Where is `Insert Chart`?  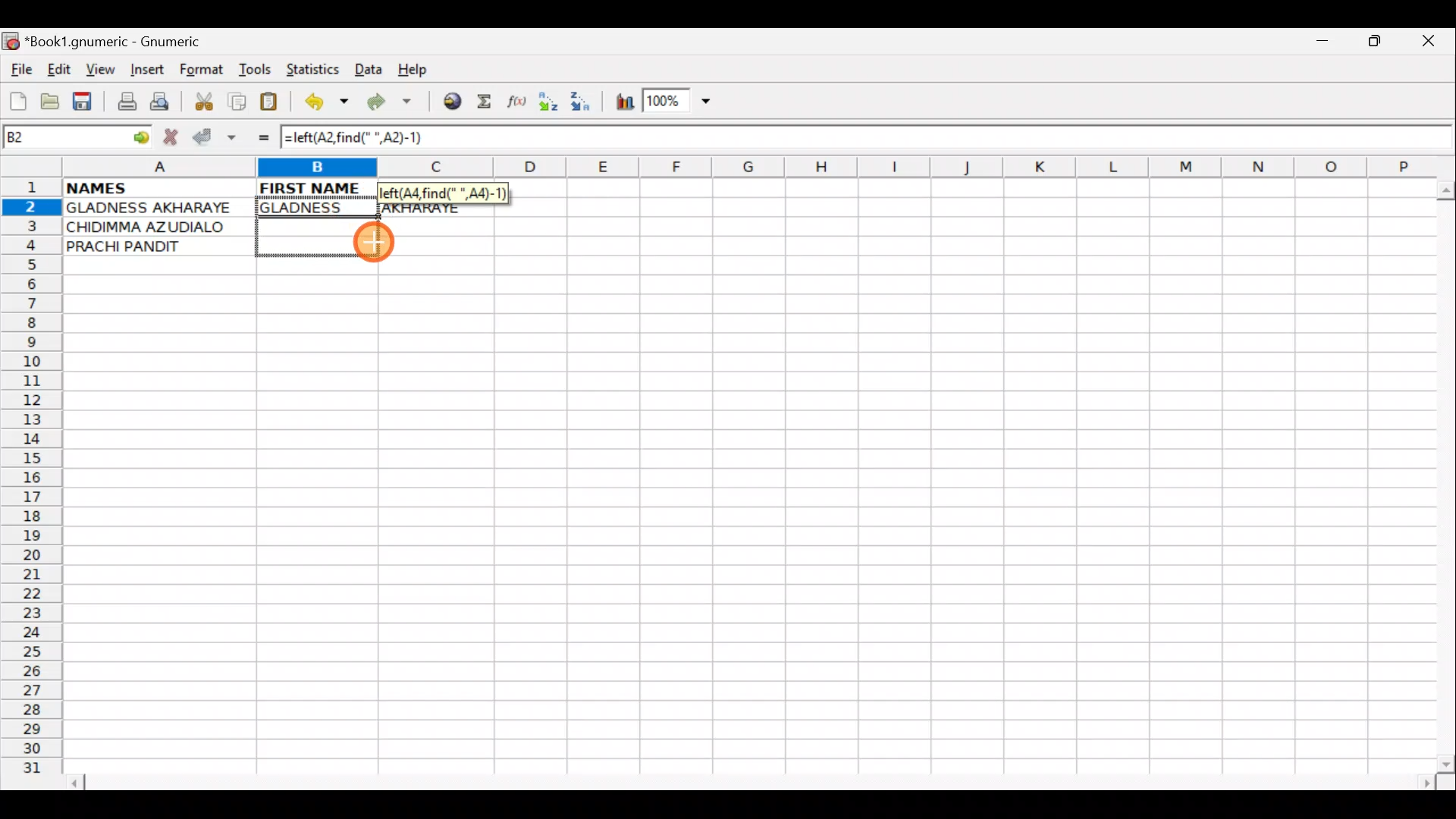 Insert Chart is located at coordinates (620, 104).